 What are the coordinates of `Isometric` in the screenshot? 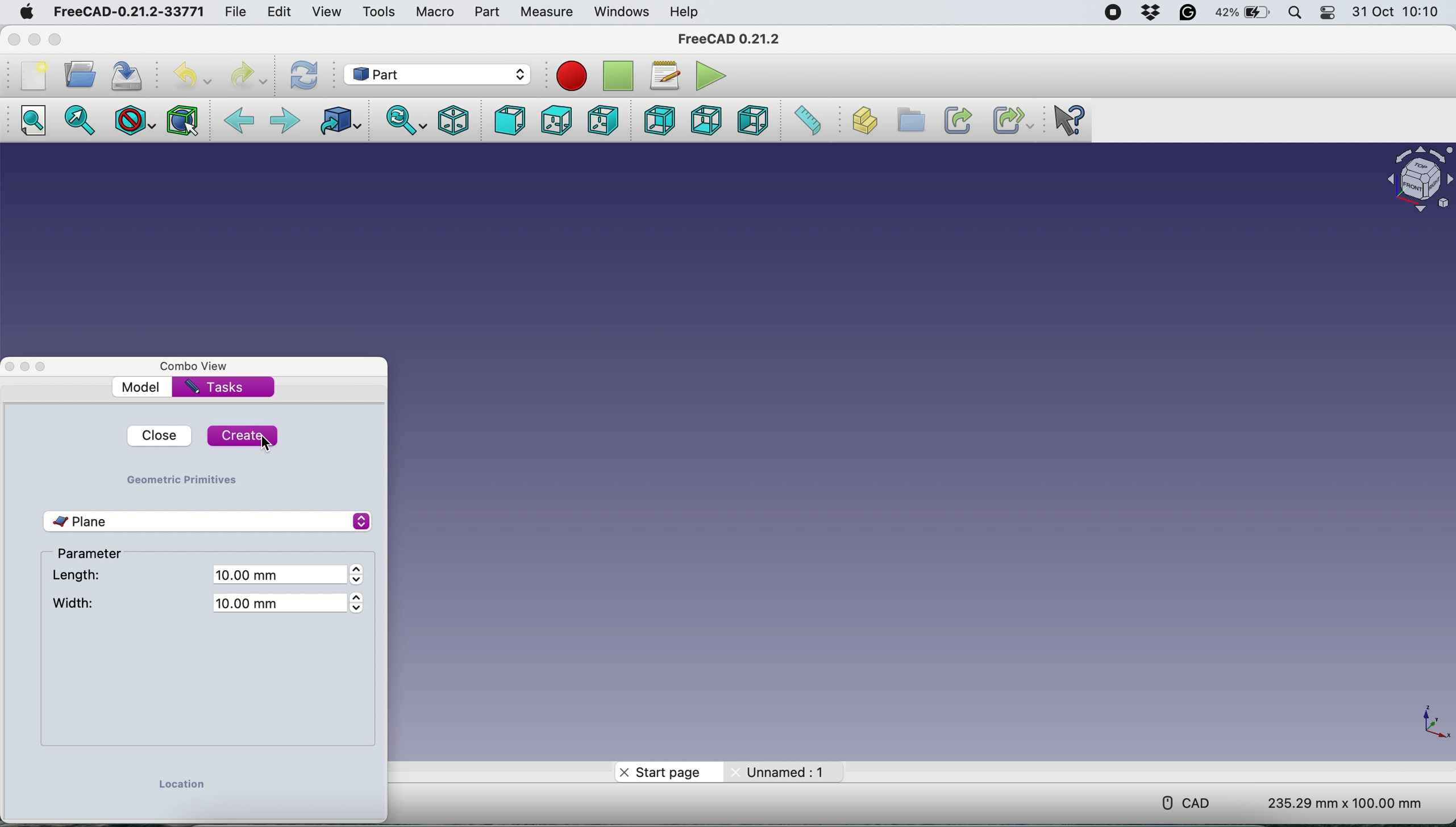 It's located at (455, 120).